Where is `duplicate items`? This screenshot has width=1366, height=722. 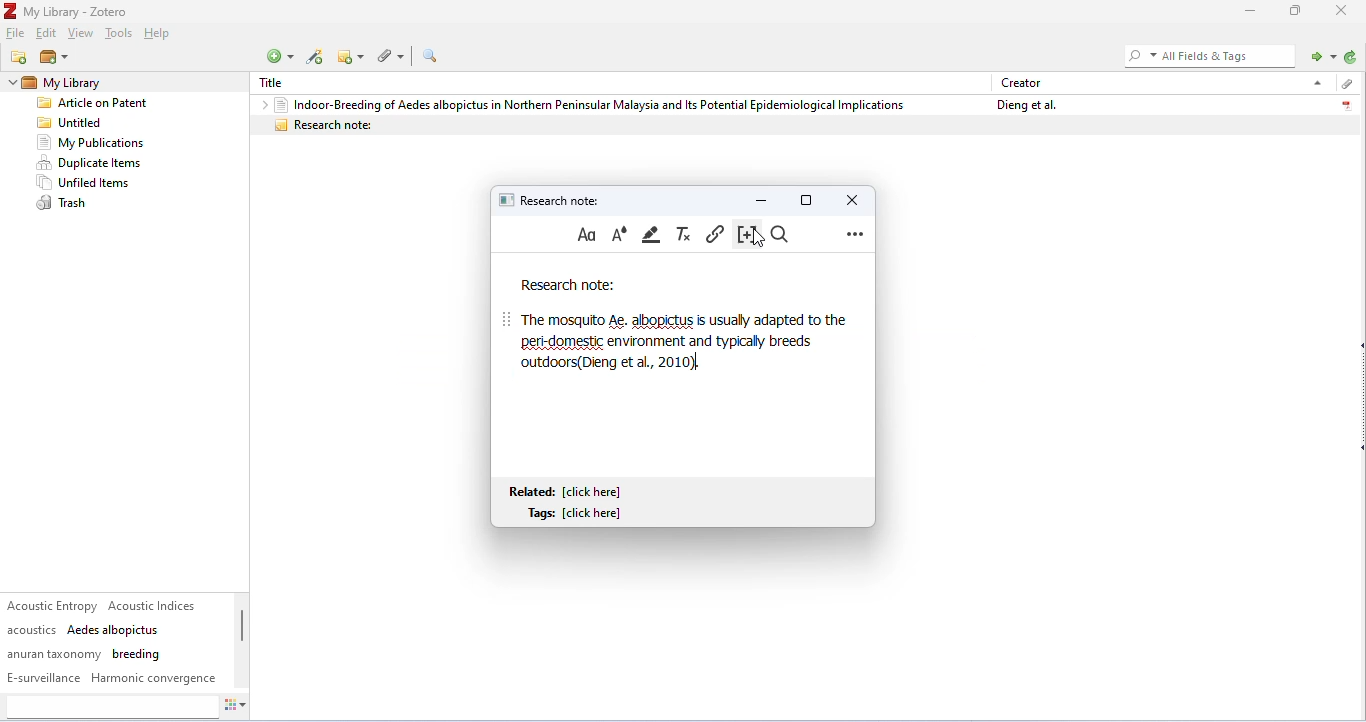 duplicate items is located at coordinates (91, 163).